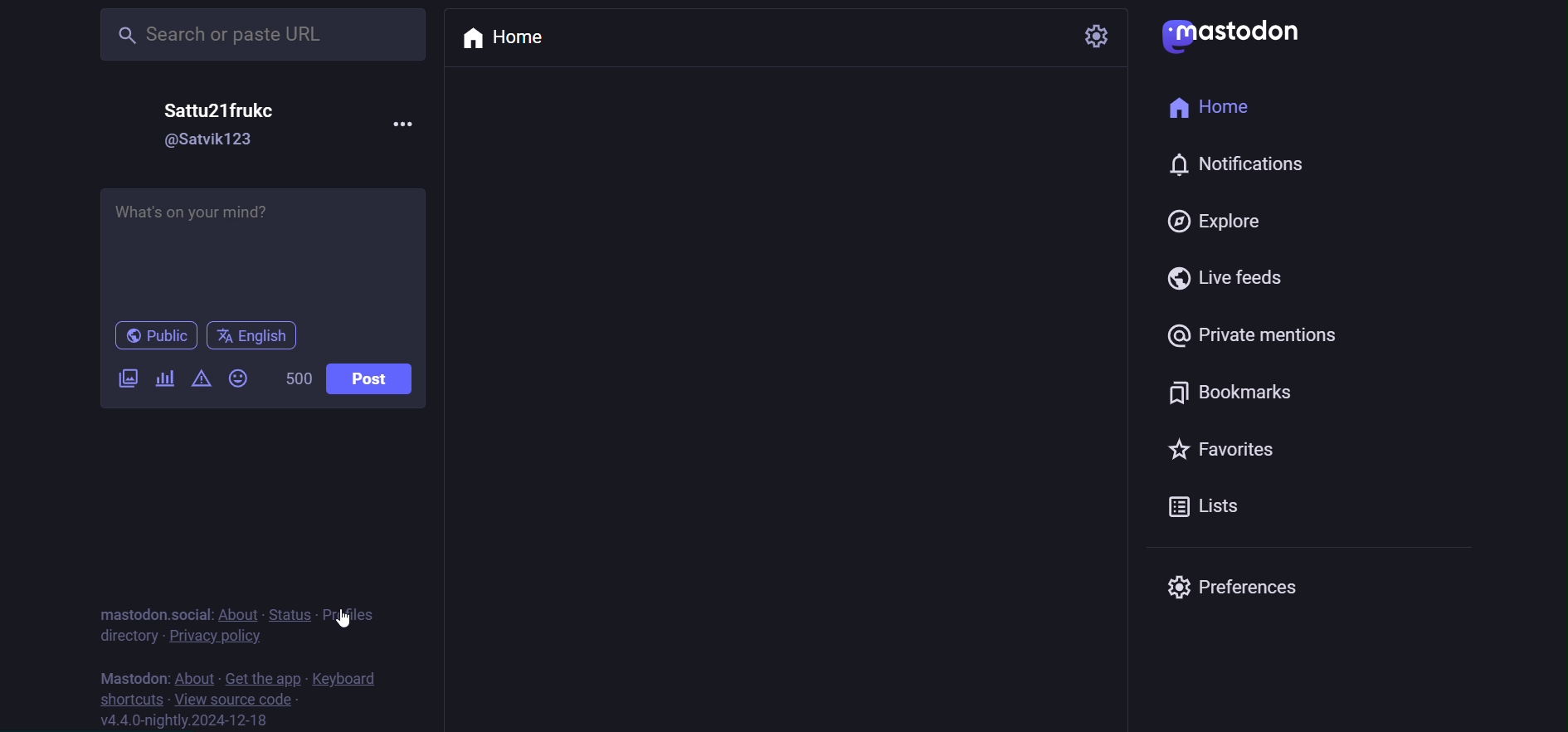  What do you see at coordinates (129, 699) in the screenshot?
I see `shortcut` at bounding box center [129, 699].